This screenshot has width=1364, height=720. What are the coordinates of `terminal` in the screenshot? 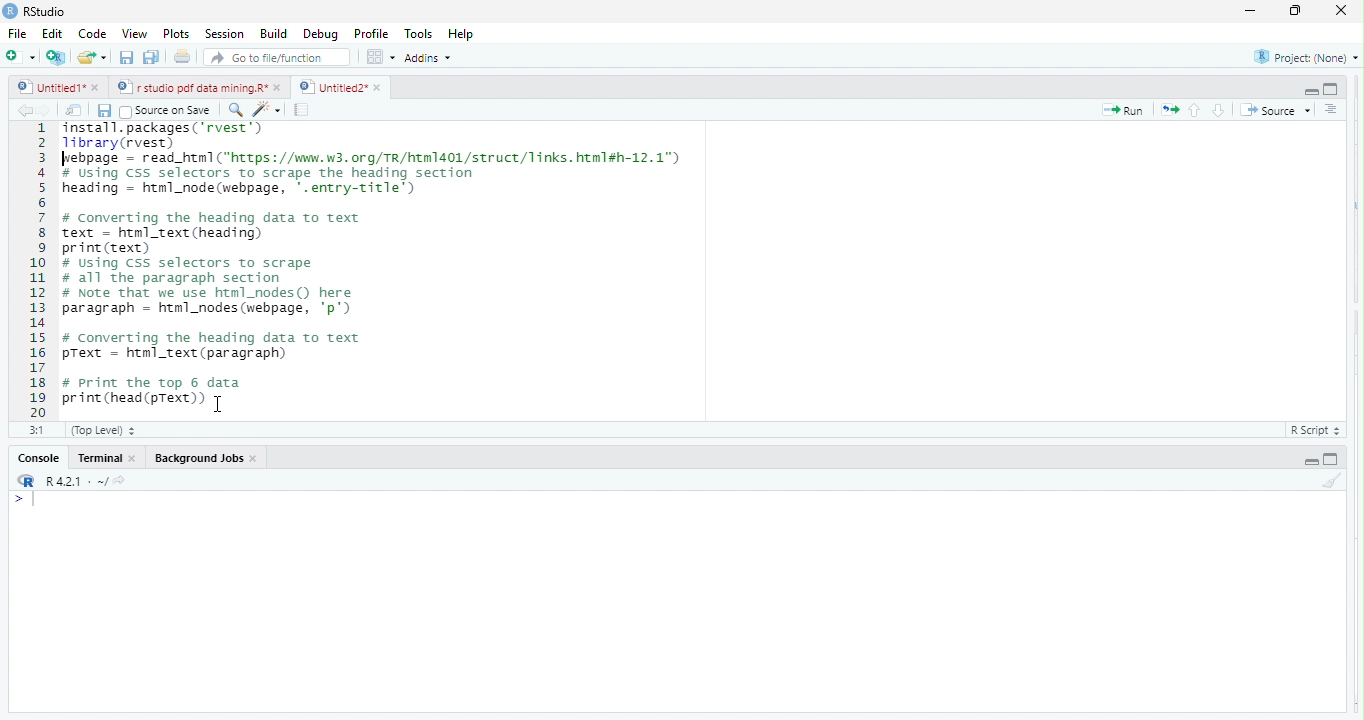 It's located at (102, 458).